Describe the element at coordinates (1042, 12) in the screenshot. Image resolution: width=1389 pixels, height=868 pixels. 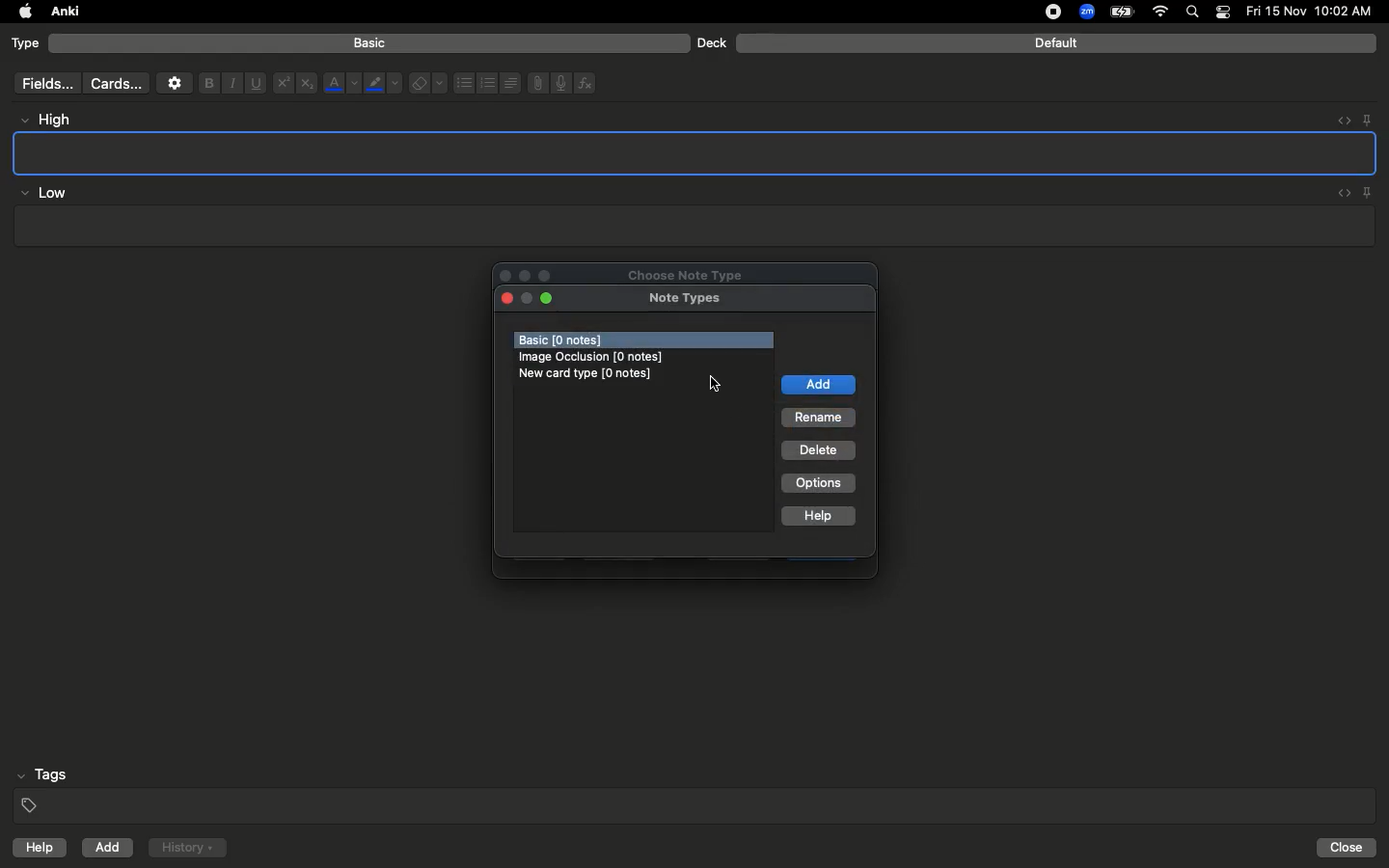
I see `recording` at that location.